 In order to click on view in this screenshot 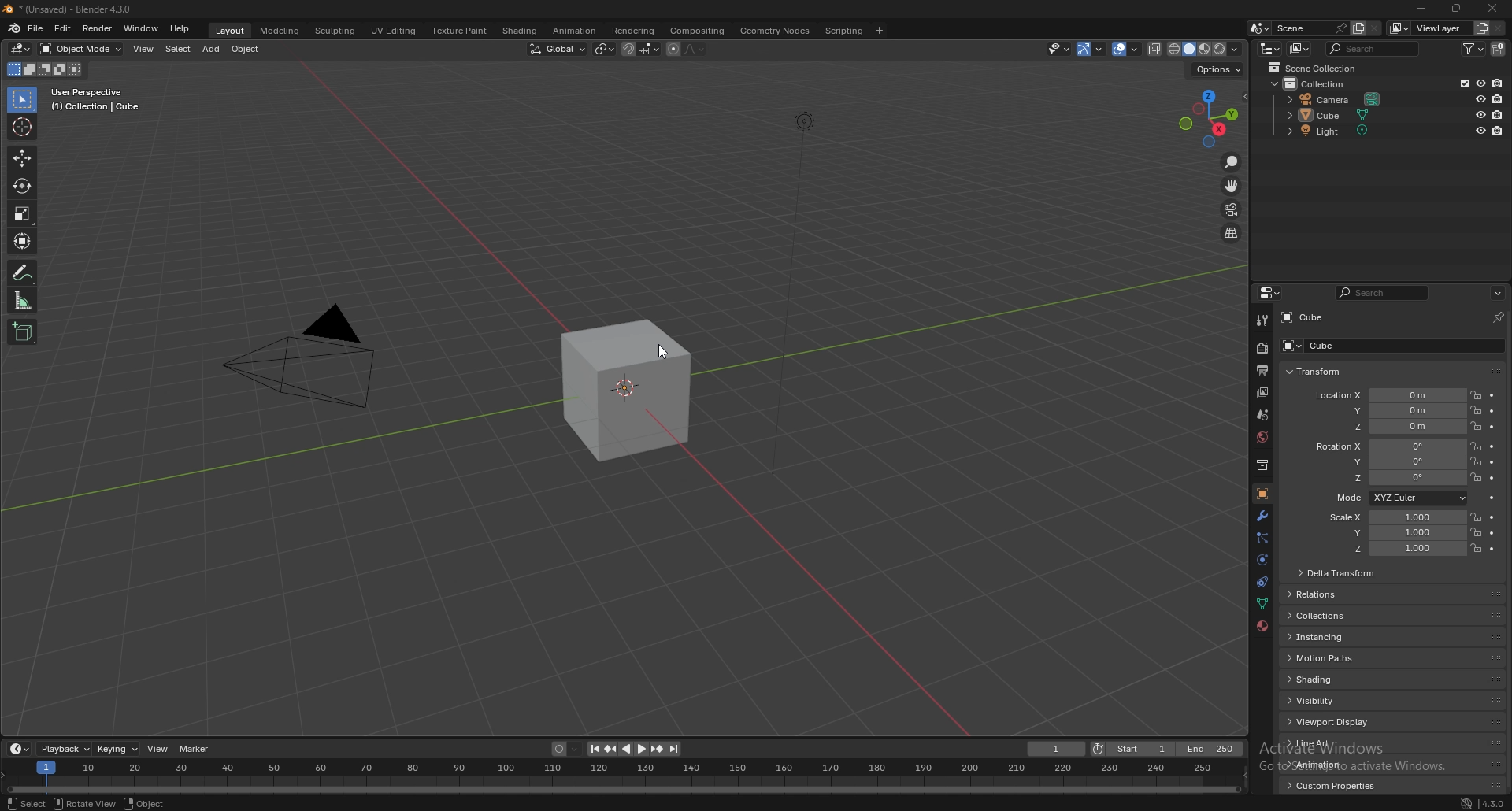, I will do `click(145, 50)`.